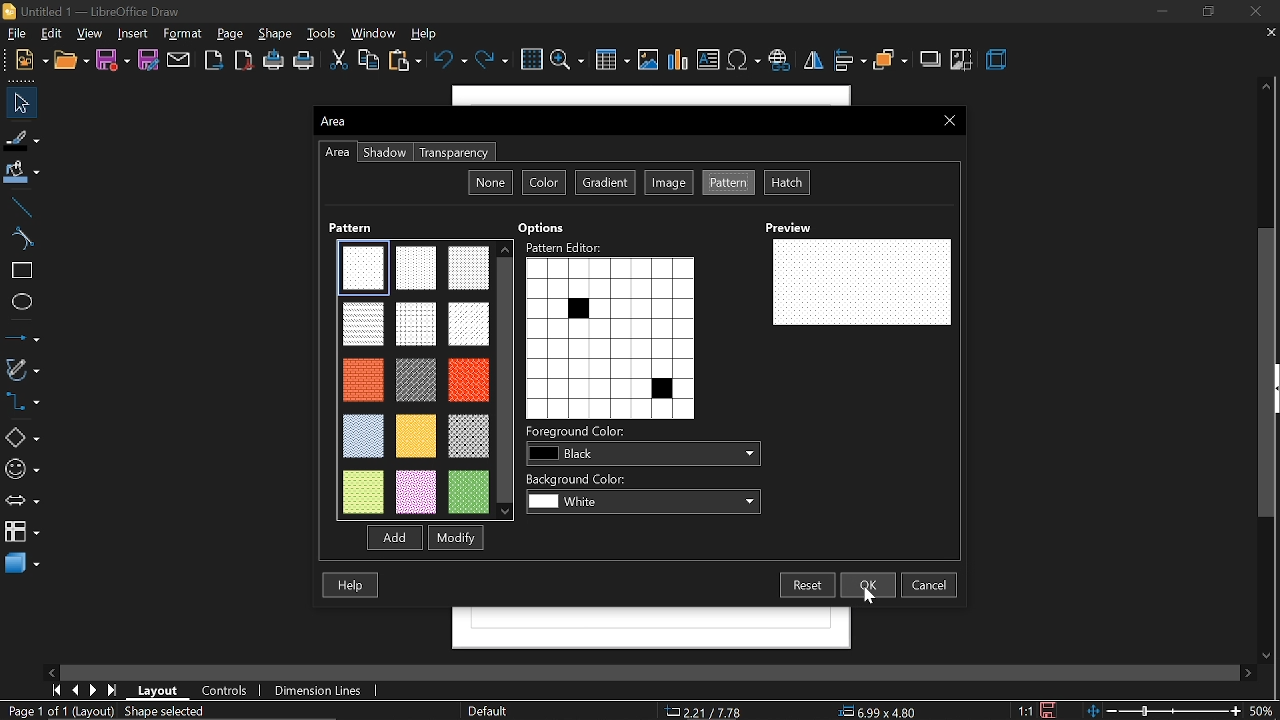  What do you see at coordinates (324, 34) in the screenshot?
I see `tools` at bounding box center [324, 34].